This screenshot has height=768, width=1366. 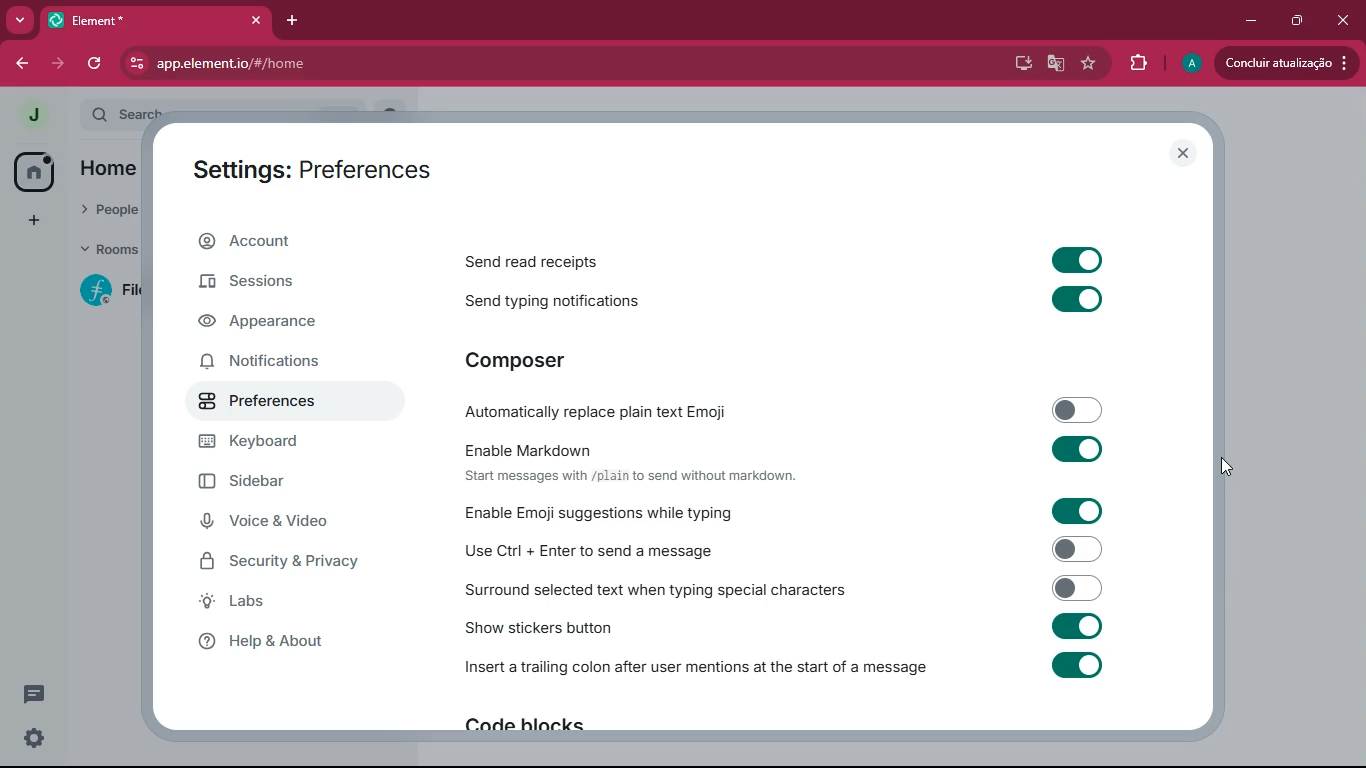 What do you see at coordinates (31, 694) in the screenshot?
I see `conversations` at bounding box center [31, 694].